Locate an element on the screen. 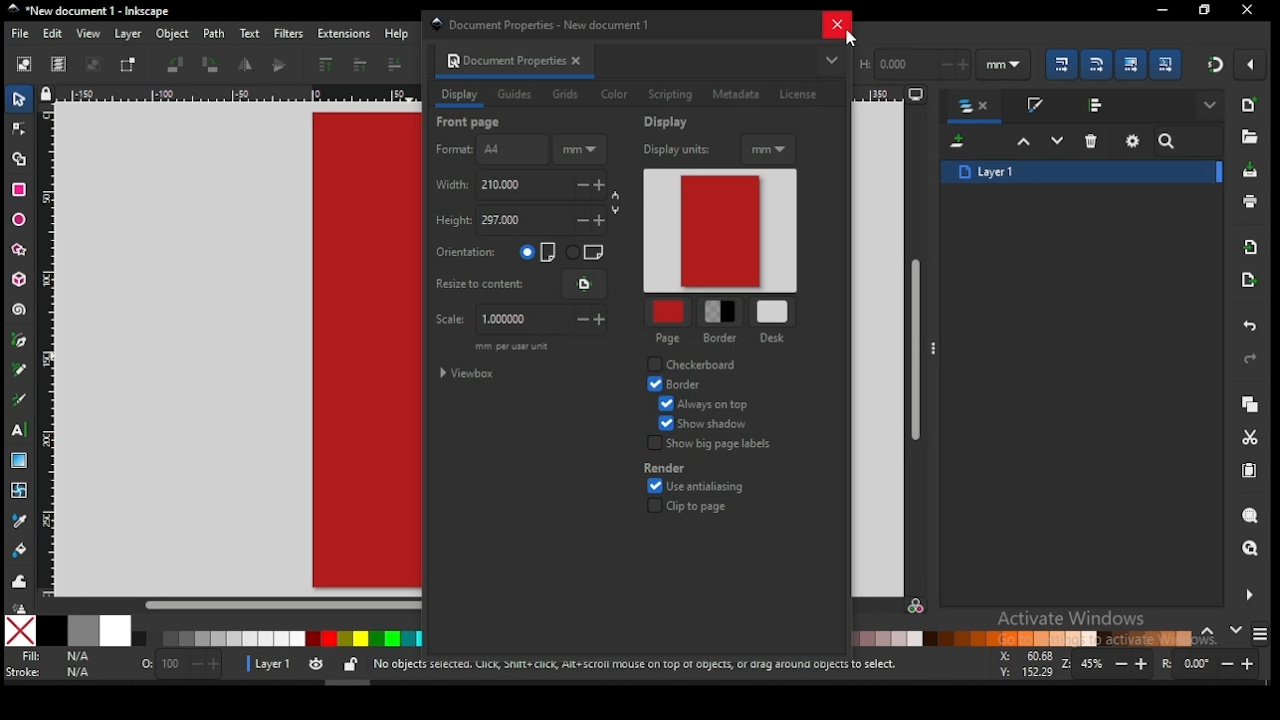 This screenshot has width=1280, height=720. stroke color is located at coordinates (49, 671).